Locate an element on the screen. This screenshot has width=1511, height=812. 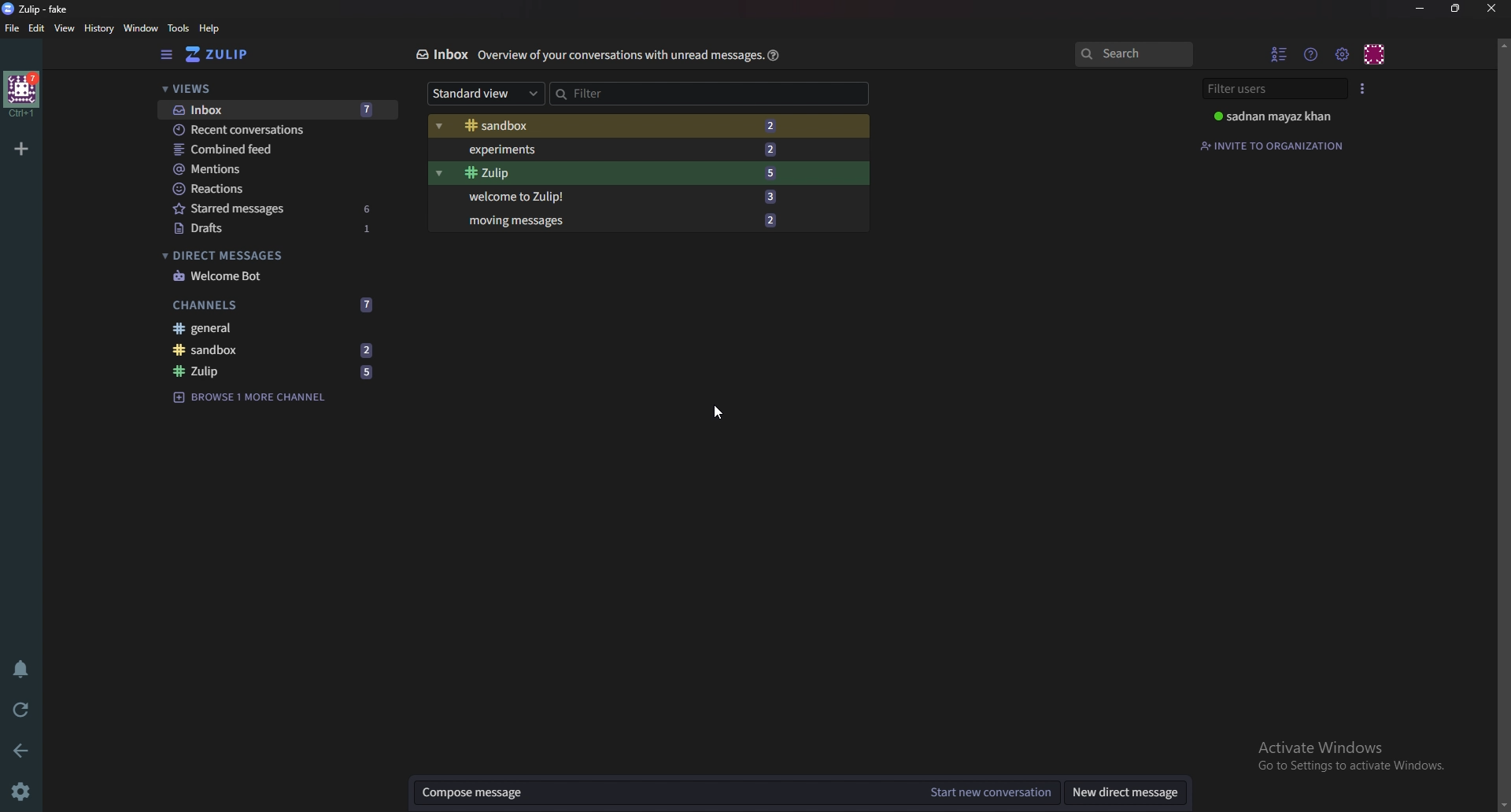
File is located at coordinates (15, 28).